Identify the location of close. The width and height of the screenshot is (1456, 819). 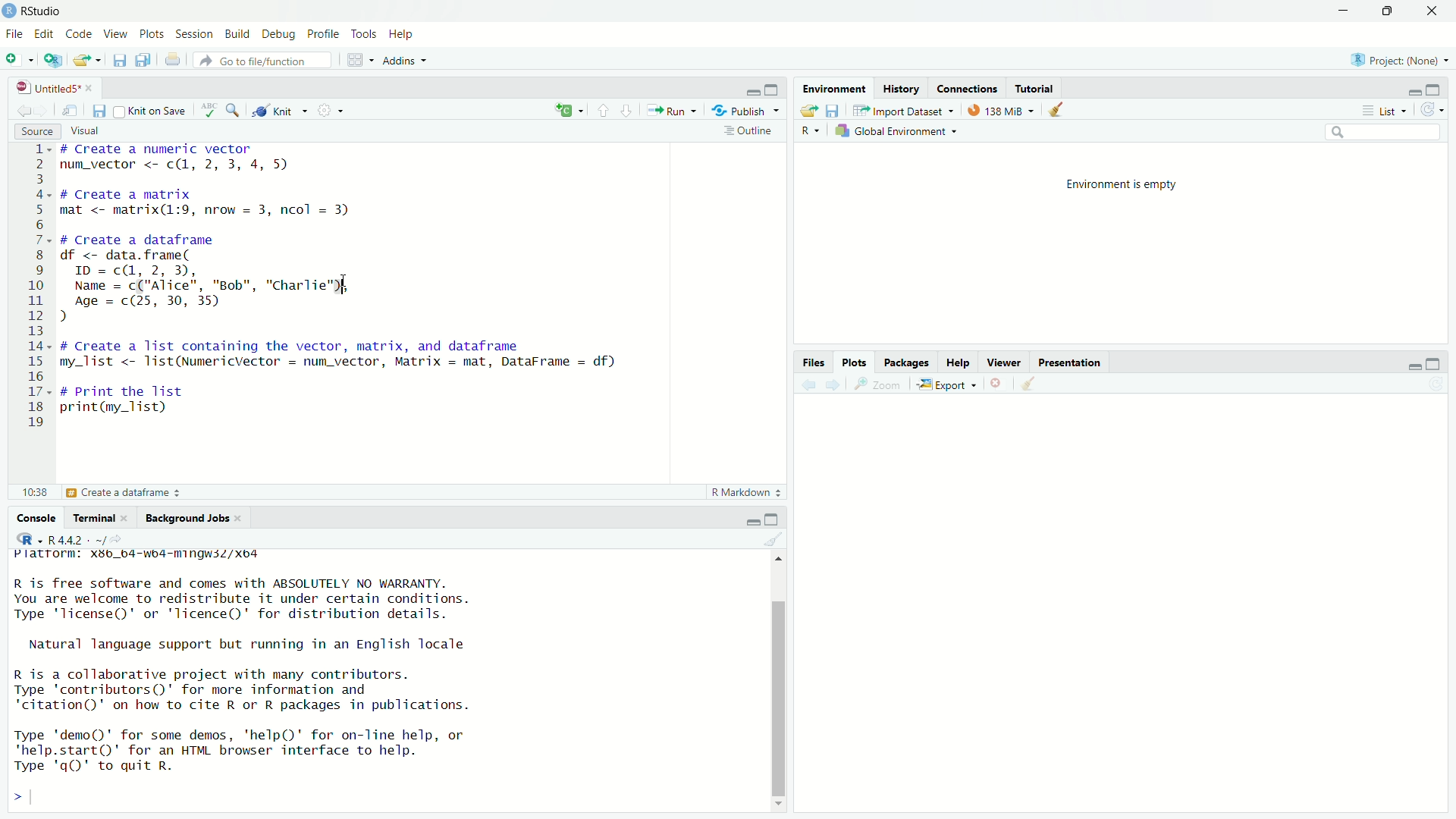
(1437, 11).